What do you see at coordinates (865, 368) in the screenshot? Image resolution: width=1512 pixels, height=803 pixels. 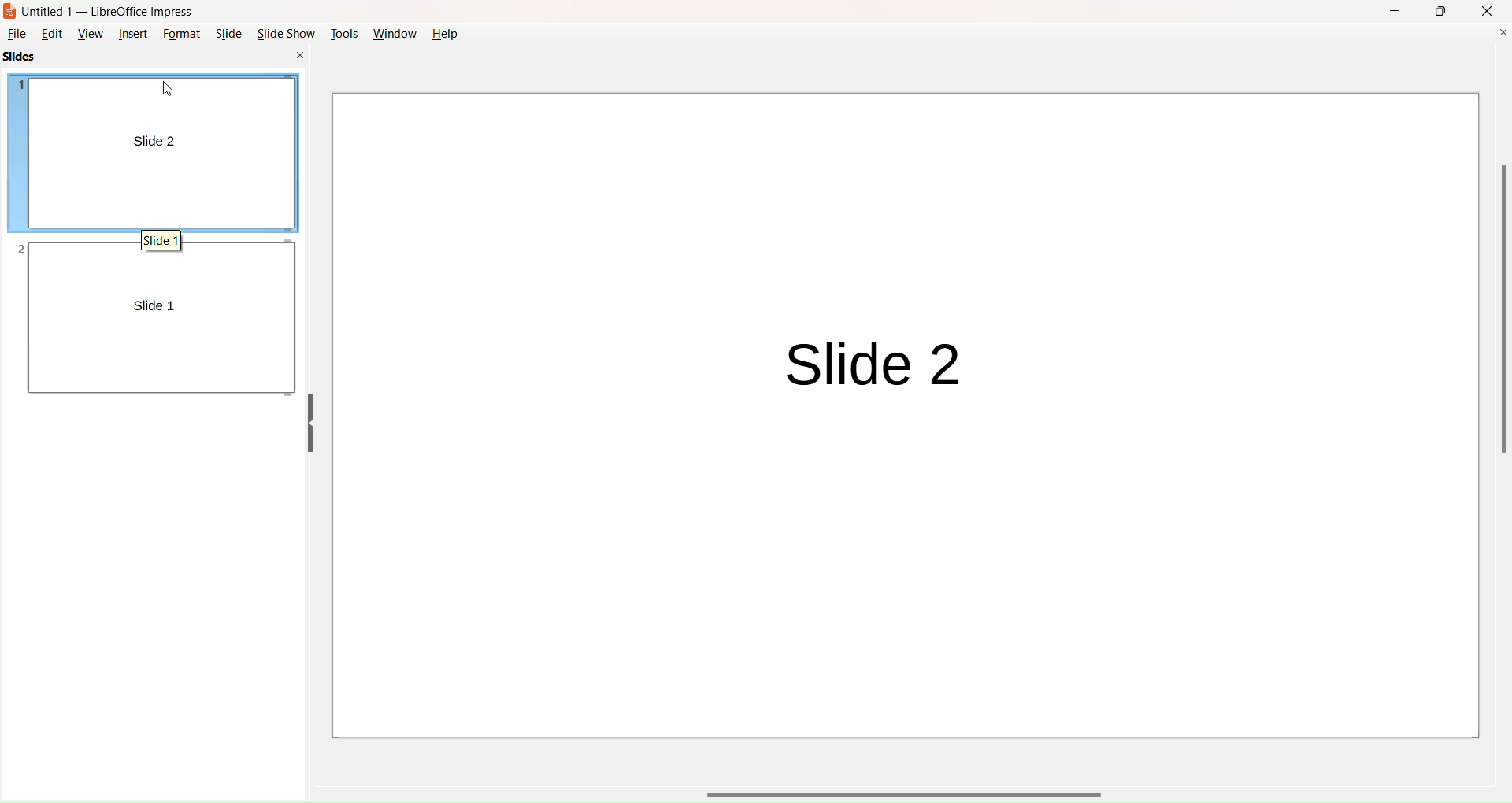 I see `slide 2` at bounding box center [865, 368].